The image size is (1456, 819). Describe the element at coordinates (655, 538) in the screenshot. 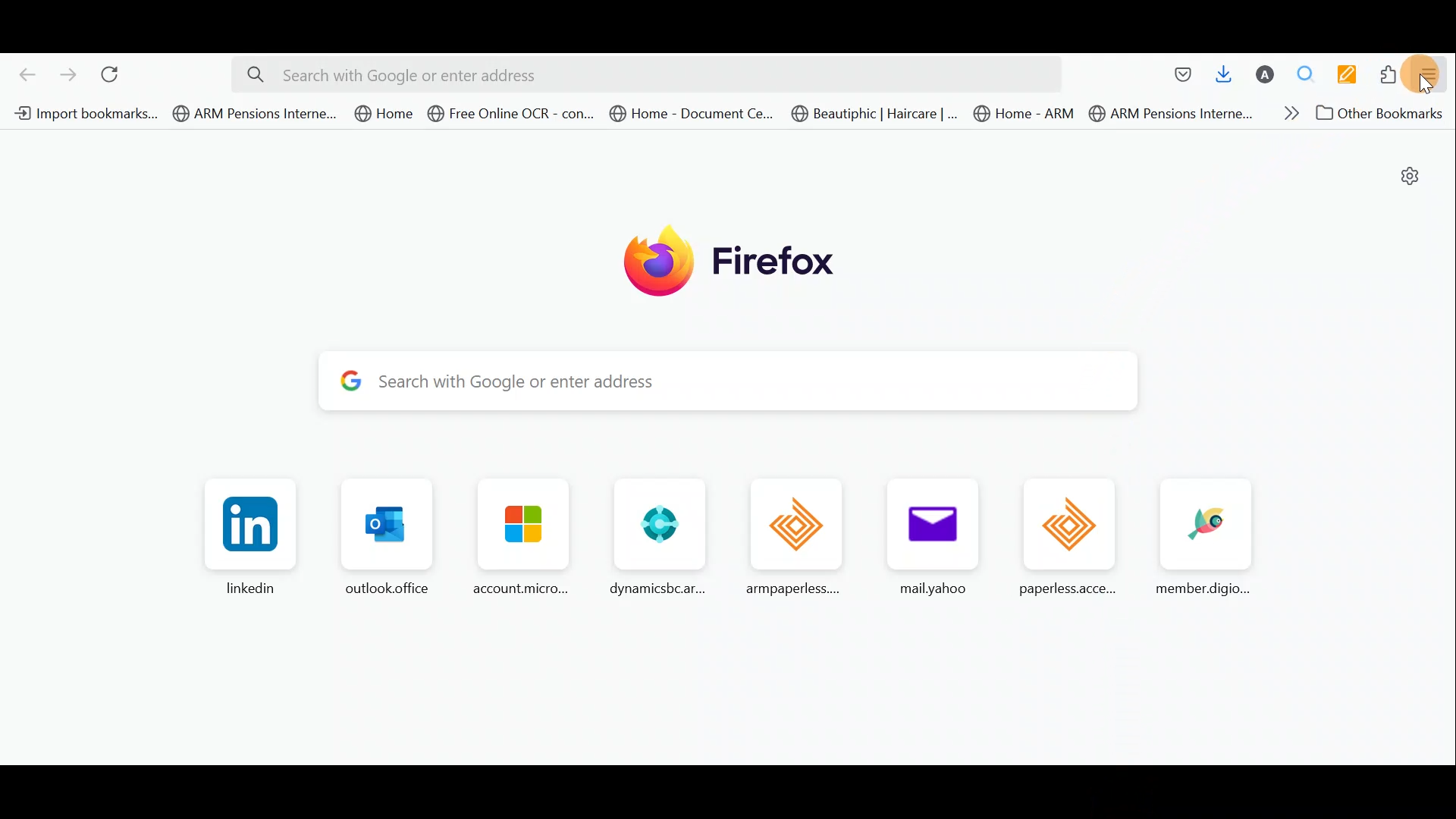

I see `dynamicsbc.ar...` at that location.